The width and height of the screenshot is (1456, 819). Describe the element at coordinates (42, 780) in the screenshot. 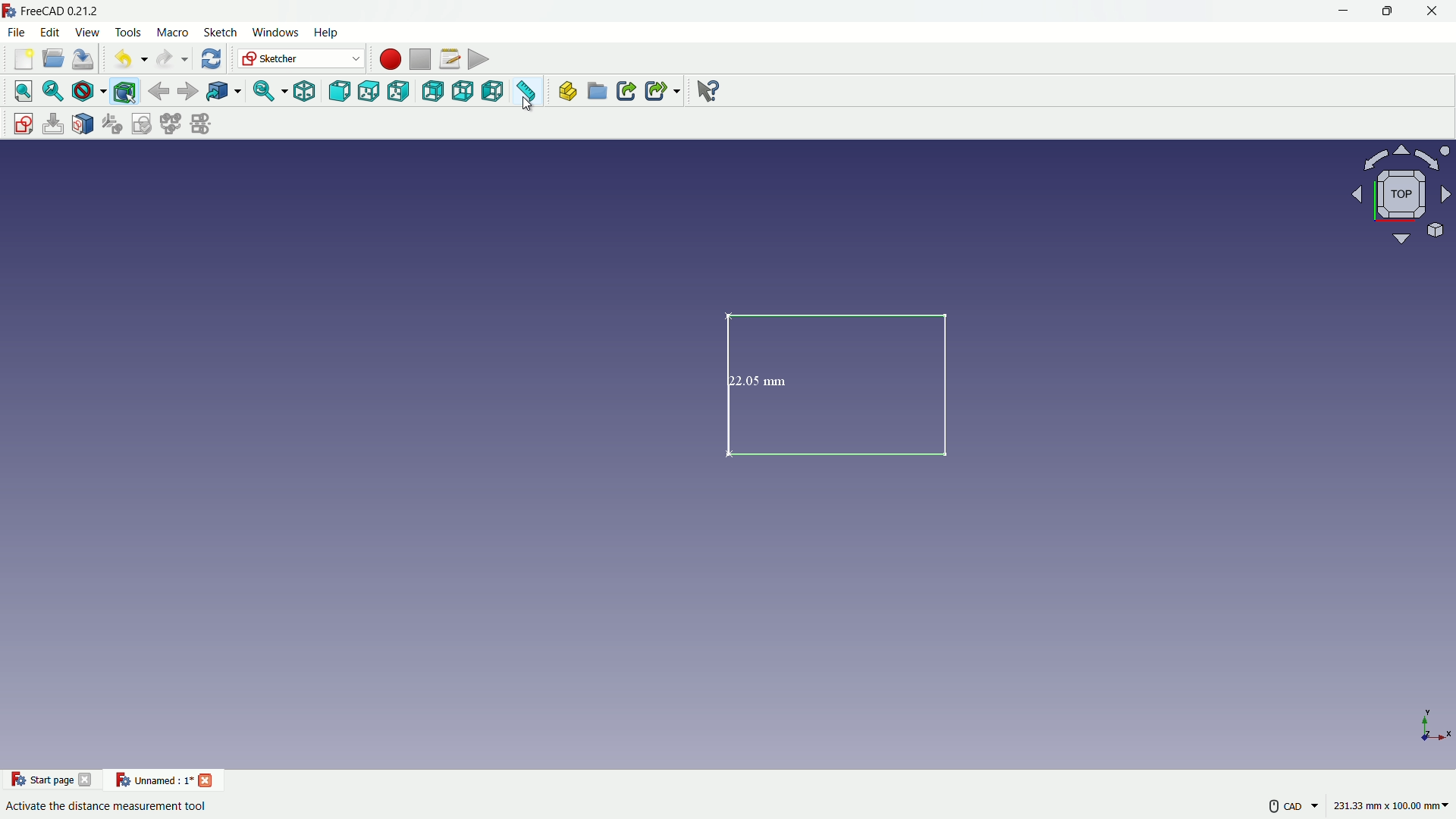

I see `start page` at that location.